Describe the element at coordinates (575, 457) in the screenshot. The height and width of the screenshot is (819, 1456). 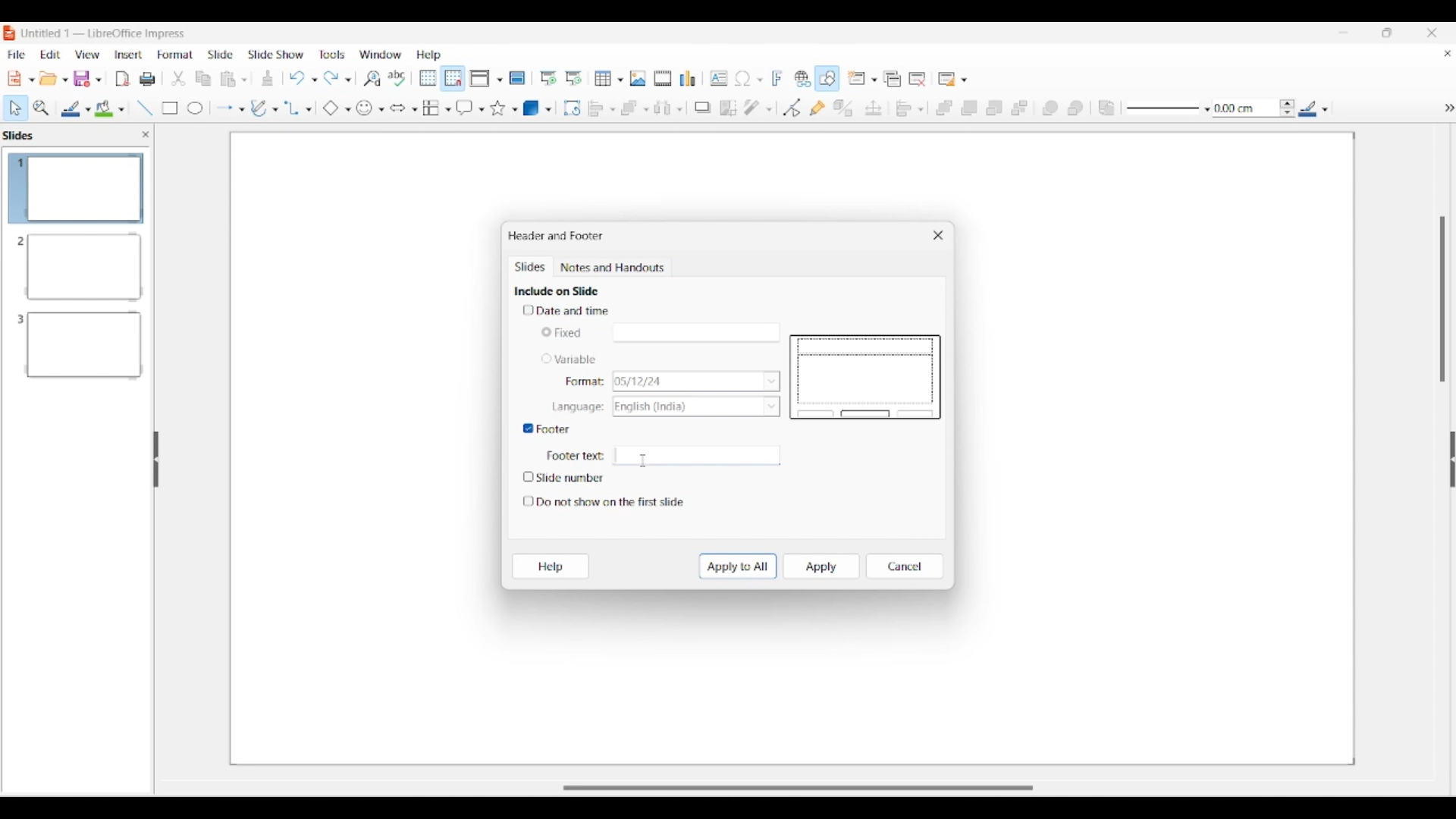
I see `Indicates Footer text box` at that location.